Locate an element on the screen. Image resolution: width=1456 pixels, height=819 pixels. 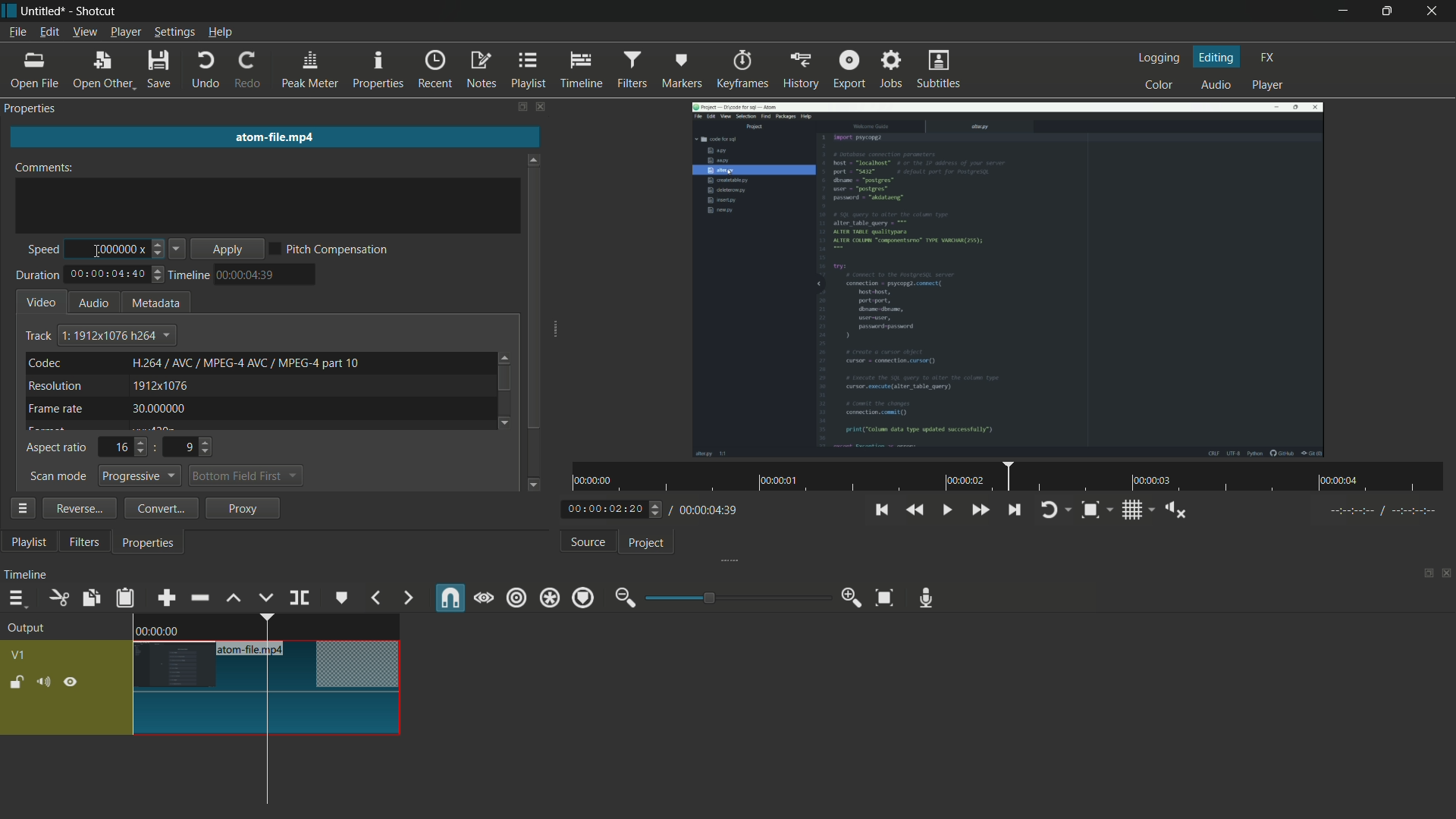
duration is located at coordinates (37, 275).